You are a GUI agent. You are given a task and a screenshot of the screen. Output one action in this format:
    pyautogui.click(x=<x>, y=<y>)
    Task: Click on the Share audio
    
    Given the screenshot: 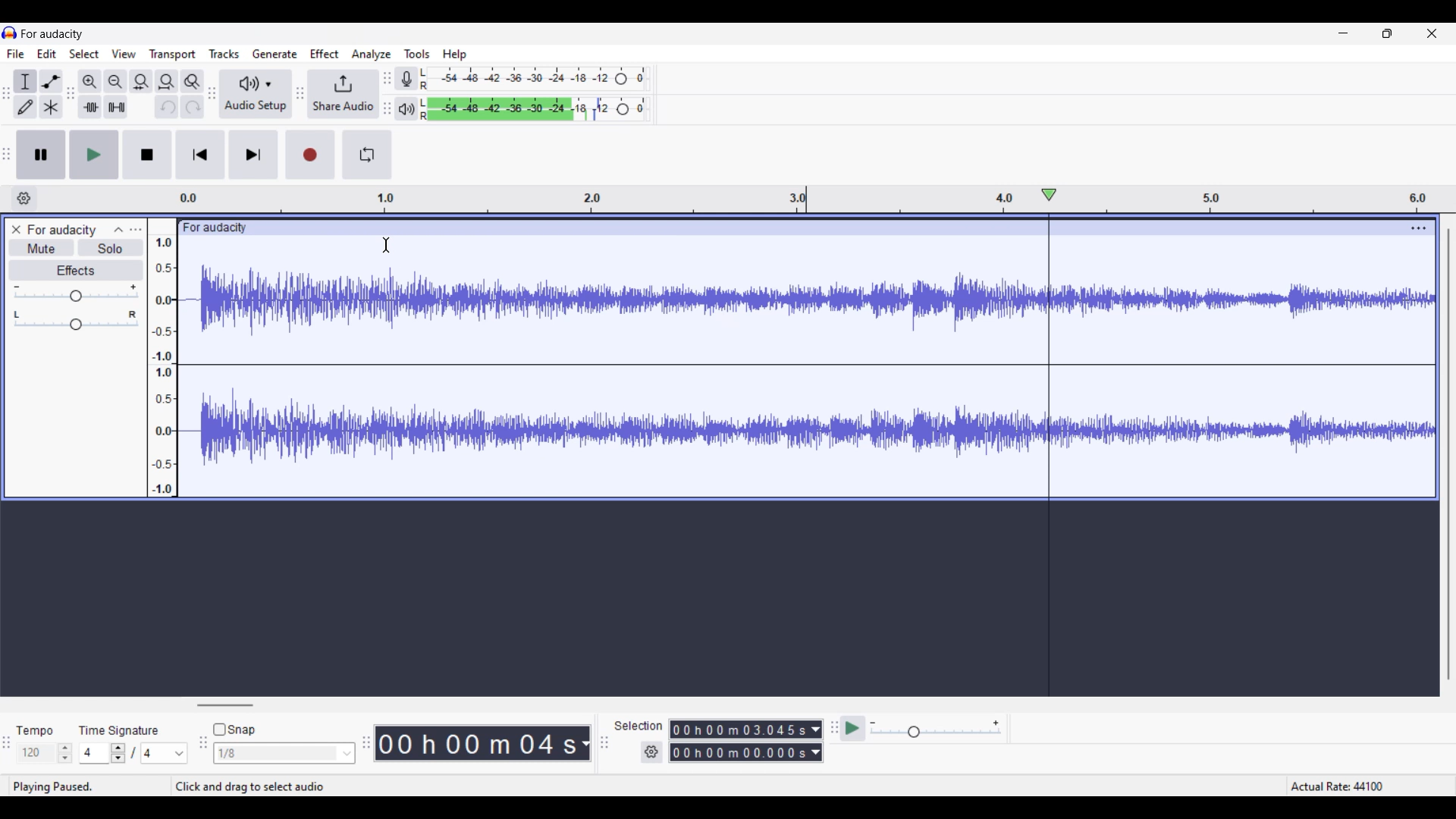 What is the action you would take?
    pyautogui.click(x=342, y=94)
    